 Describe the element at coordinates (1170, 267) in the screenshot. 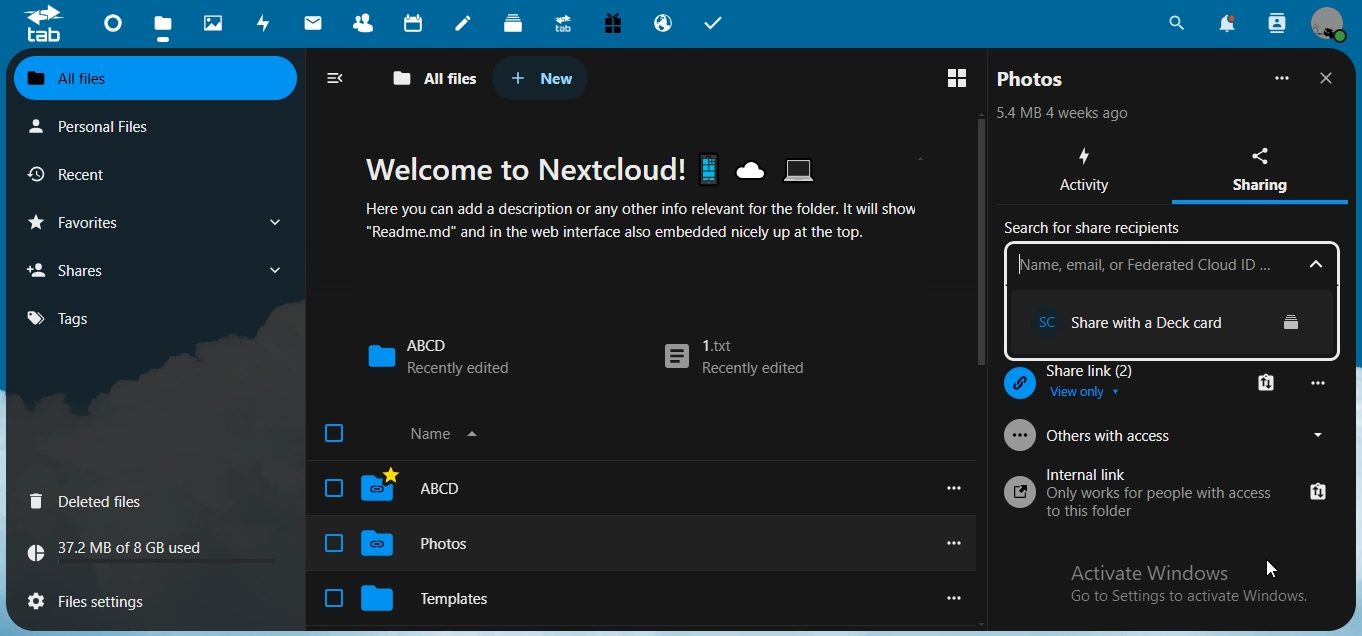

I see `Name, email or Federated Cloud ID ...` at that location.